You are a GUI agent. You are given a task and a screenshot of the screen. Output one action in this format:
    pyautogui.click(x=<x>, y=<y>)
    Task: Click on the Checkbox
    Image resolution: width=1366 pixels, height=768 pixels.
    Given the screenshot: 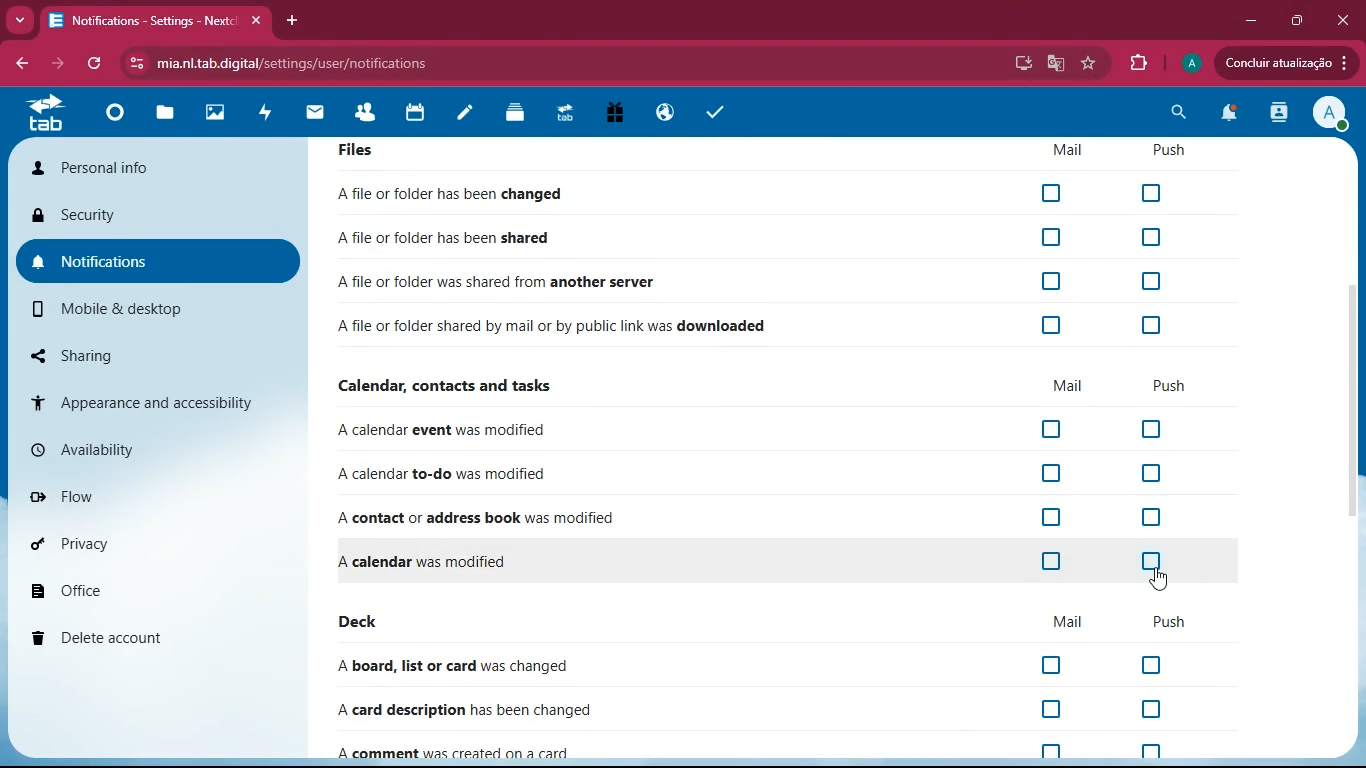 What is the action you would take?
    pyautogui.click(x=1167, y=191)
    